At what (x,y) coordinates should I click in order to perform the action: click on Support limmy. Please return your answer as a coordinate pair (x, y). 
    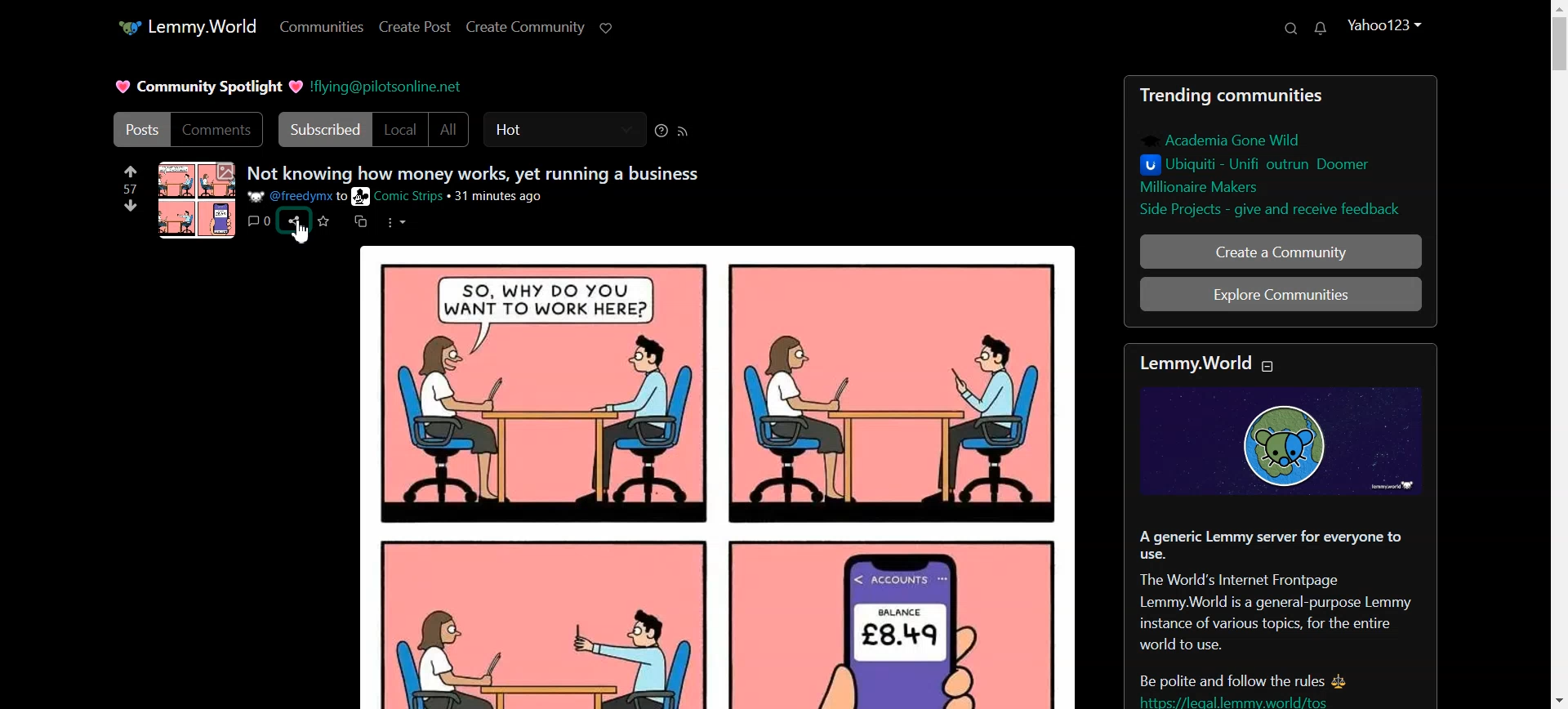
    Looking at the image, I should click on (606, 29).